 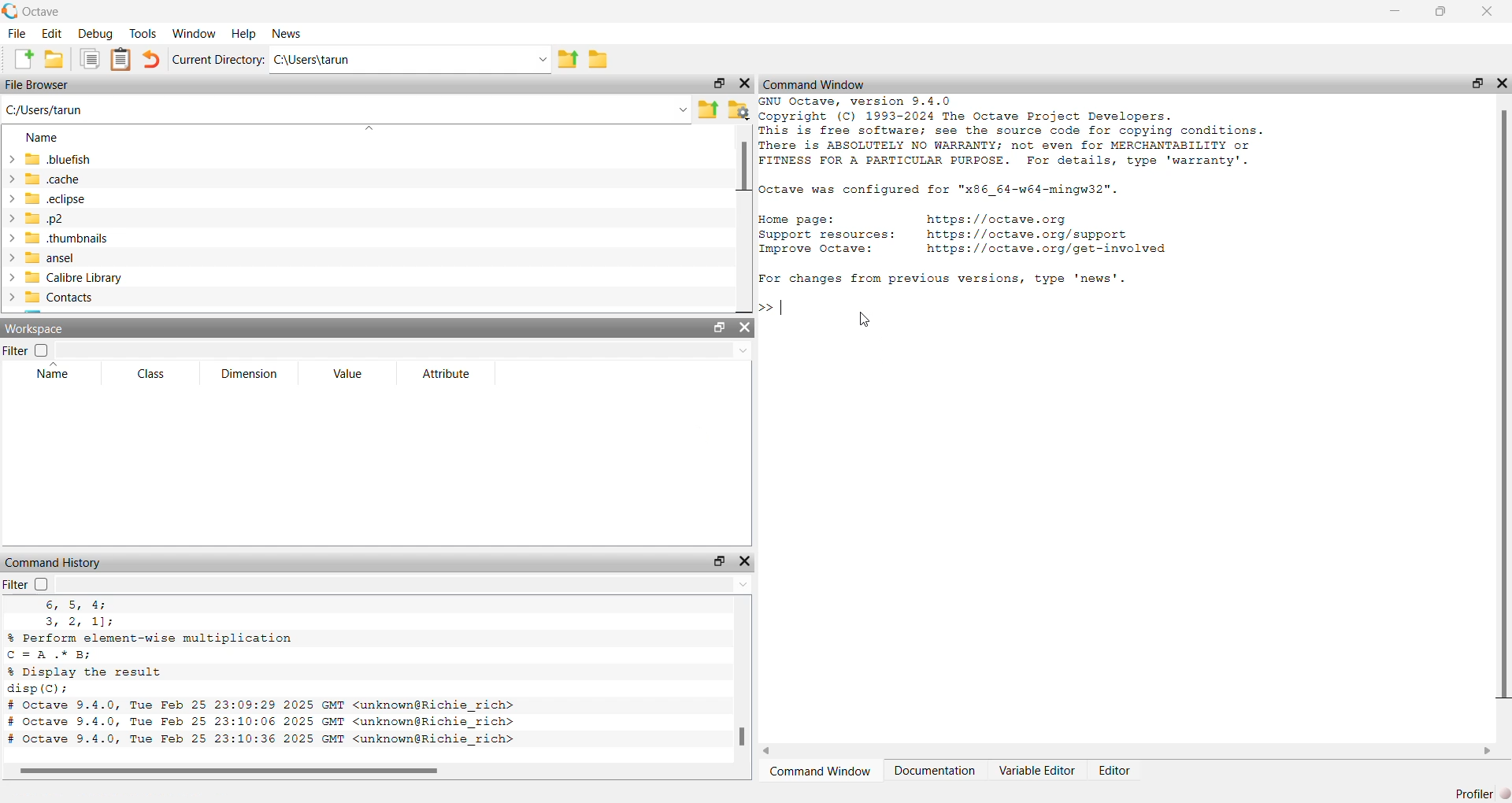 I want to click on cache, so click(x=44, y=180).